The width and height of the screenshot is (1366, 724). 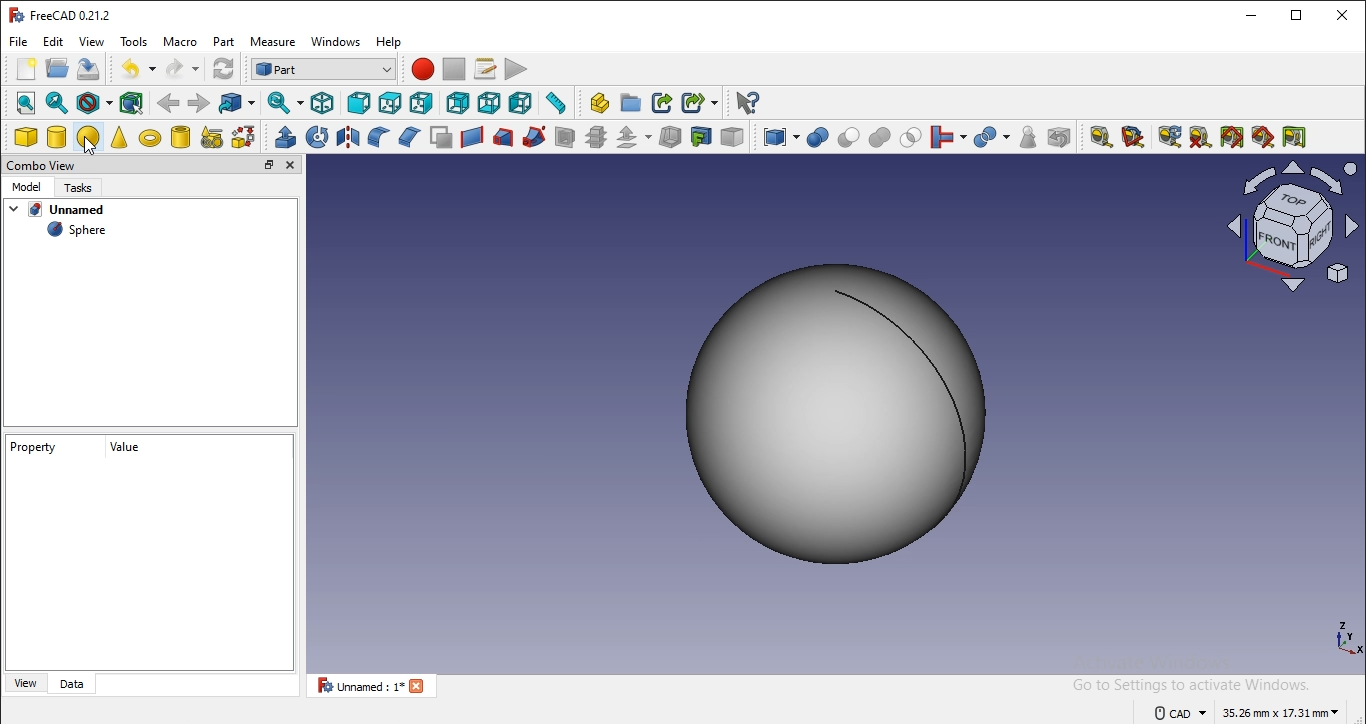 What do you see at coordinates (335, 41) in the screenshot?
I see `windows` at bounding box center [335, 41].